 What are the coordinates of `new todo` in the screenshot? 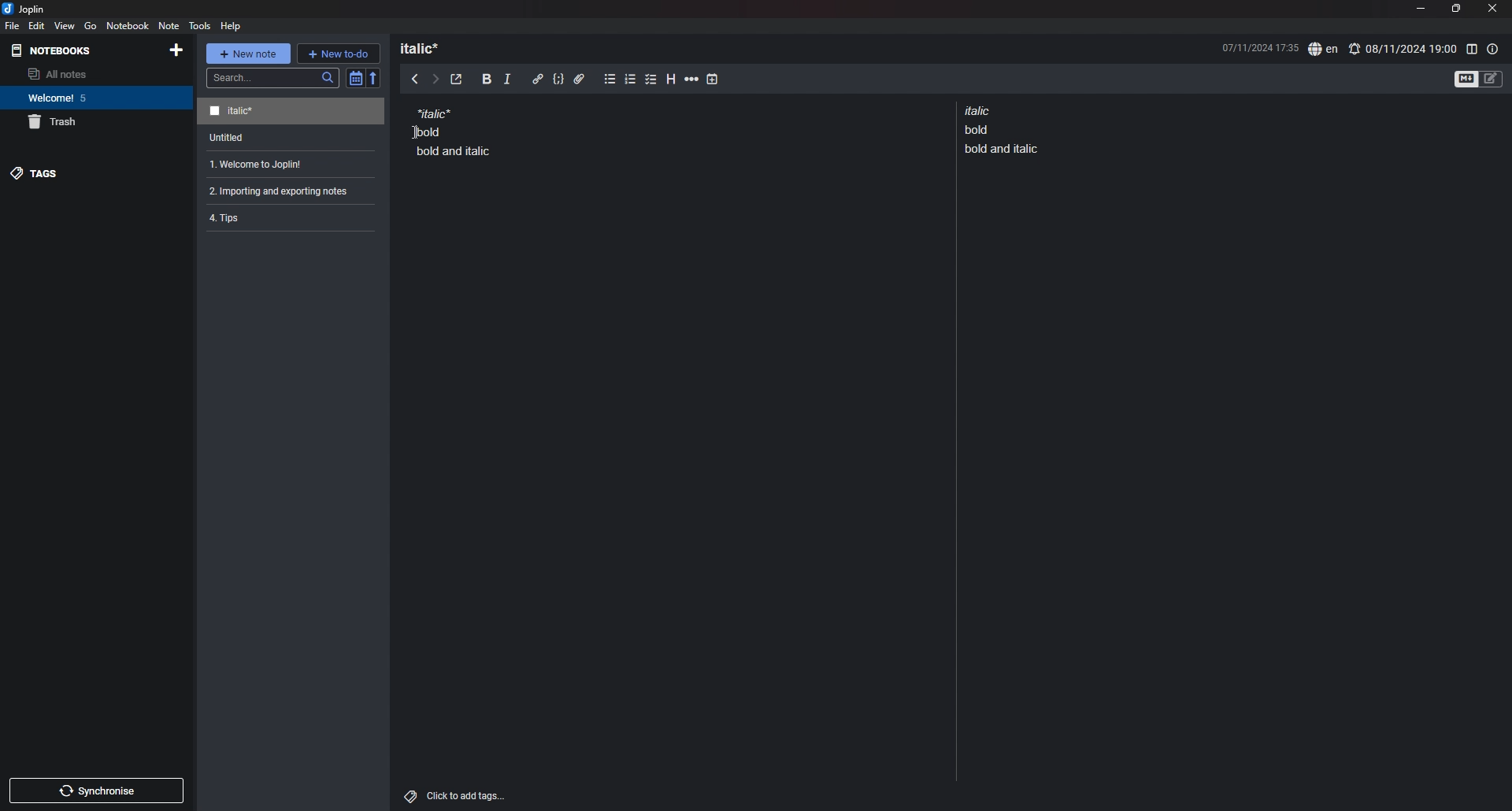 It's located at (338, 53).